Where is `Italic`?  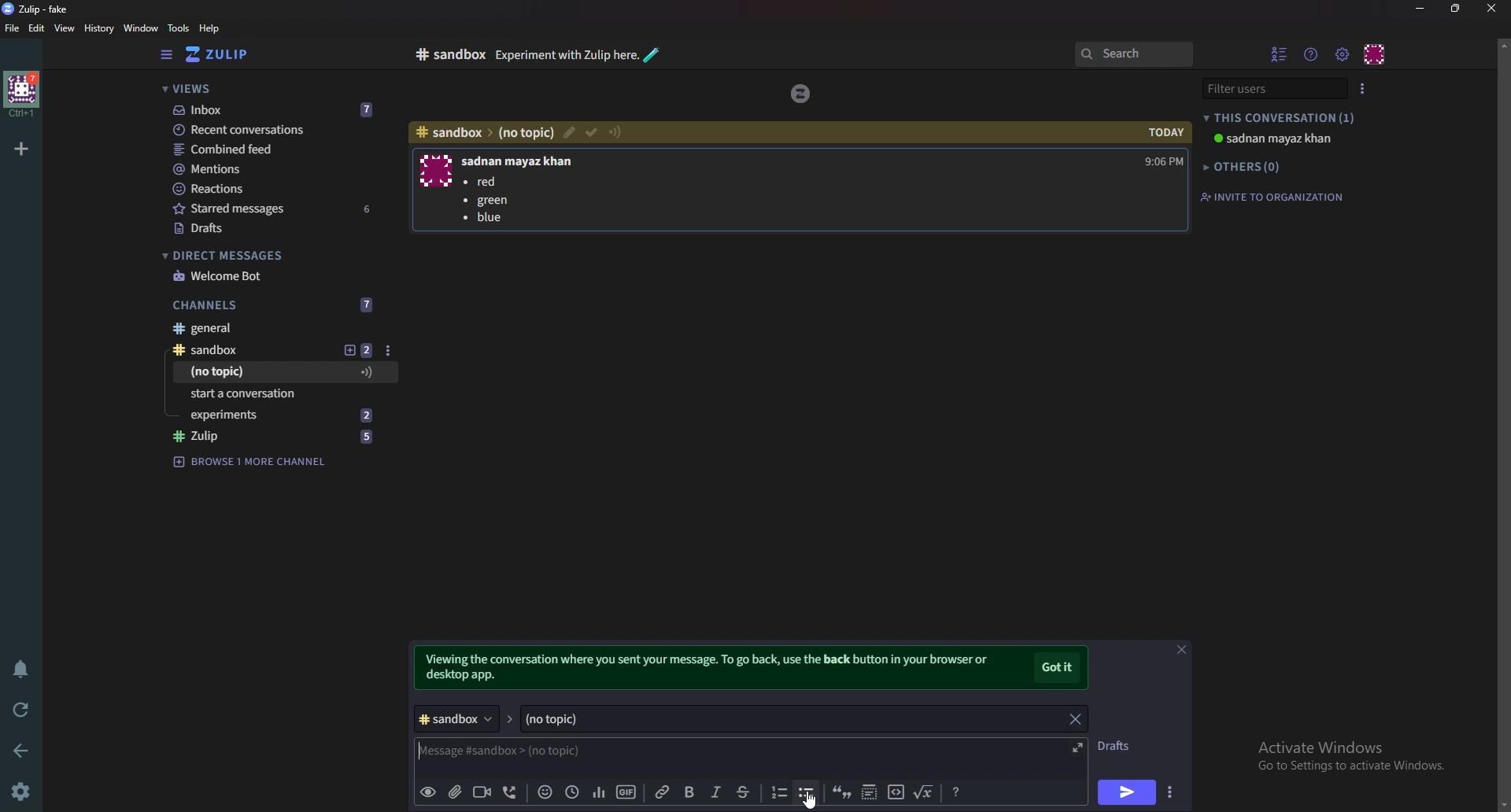
Italic is located at coordinates (716, 792).